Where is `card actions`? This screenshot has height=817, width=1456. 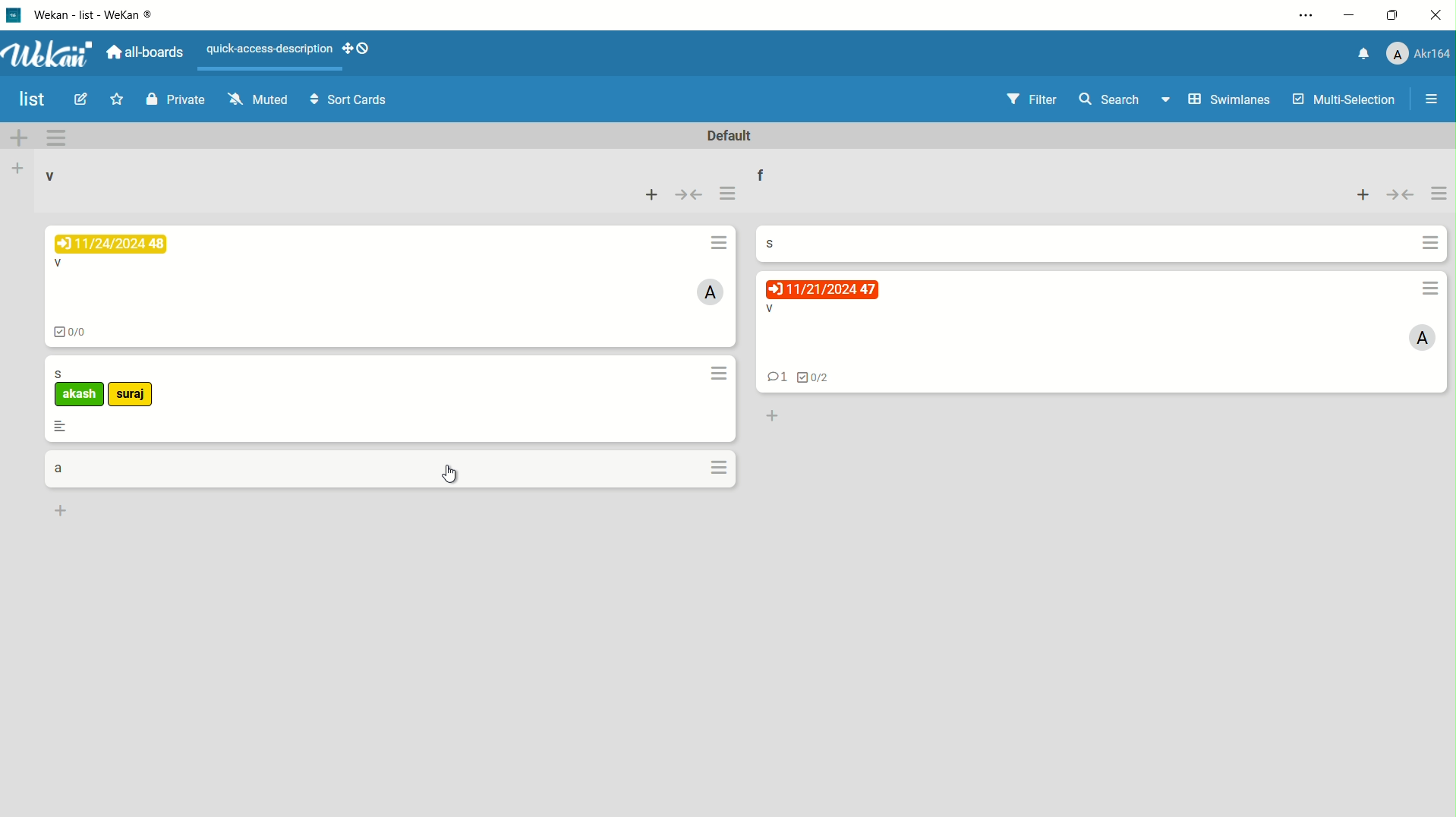 card actions is located at coordinates (721, 243).